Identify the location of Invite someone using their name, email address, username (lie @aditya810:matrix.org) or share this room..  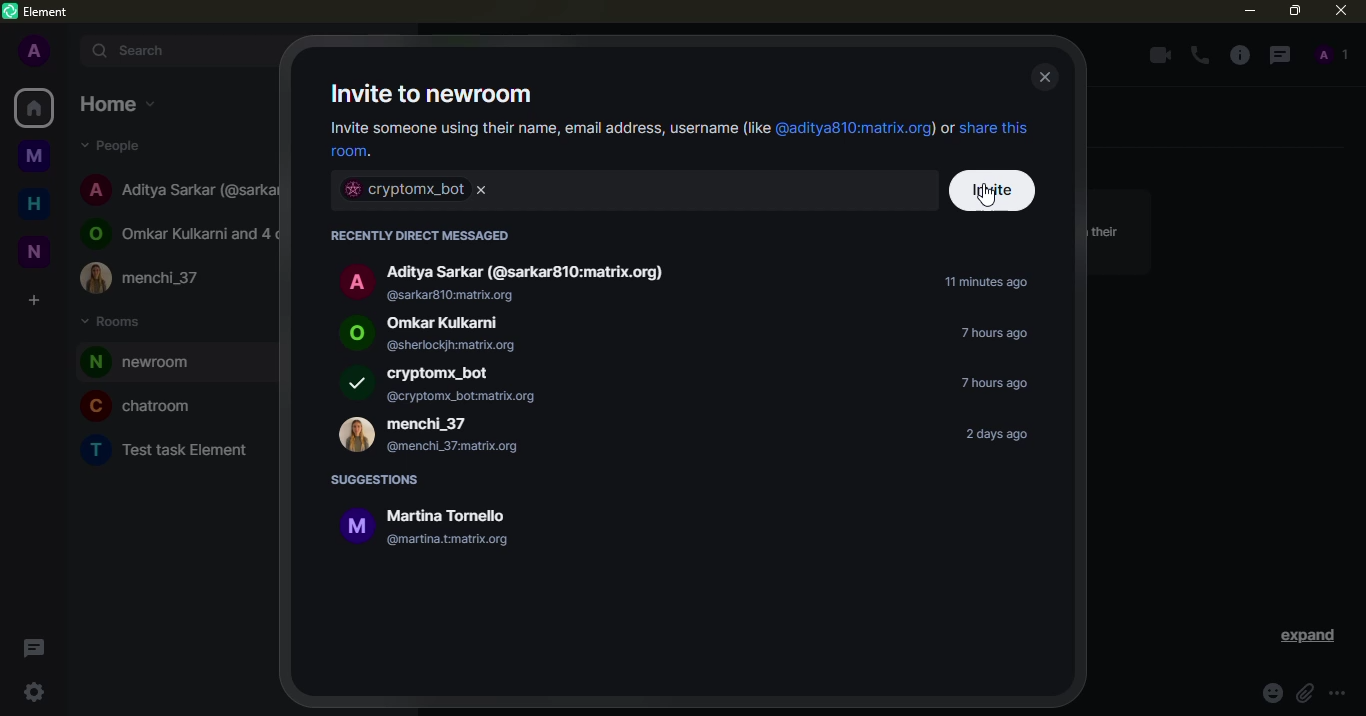
(681, 139).